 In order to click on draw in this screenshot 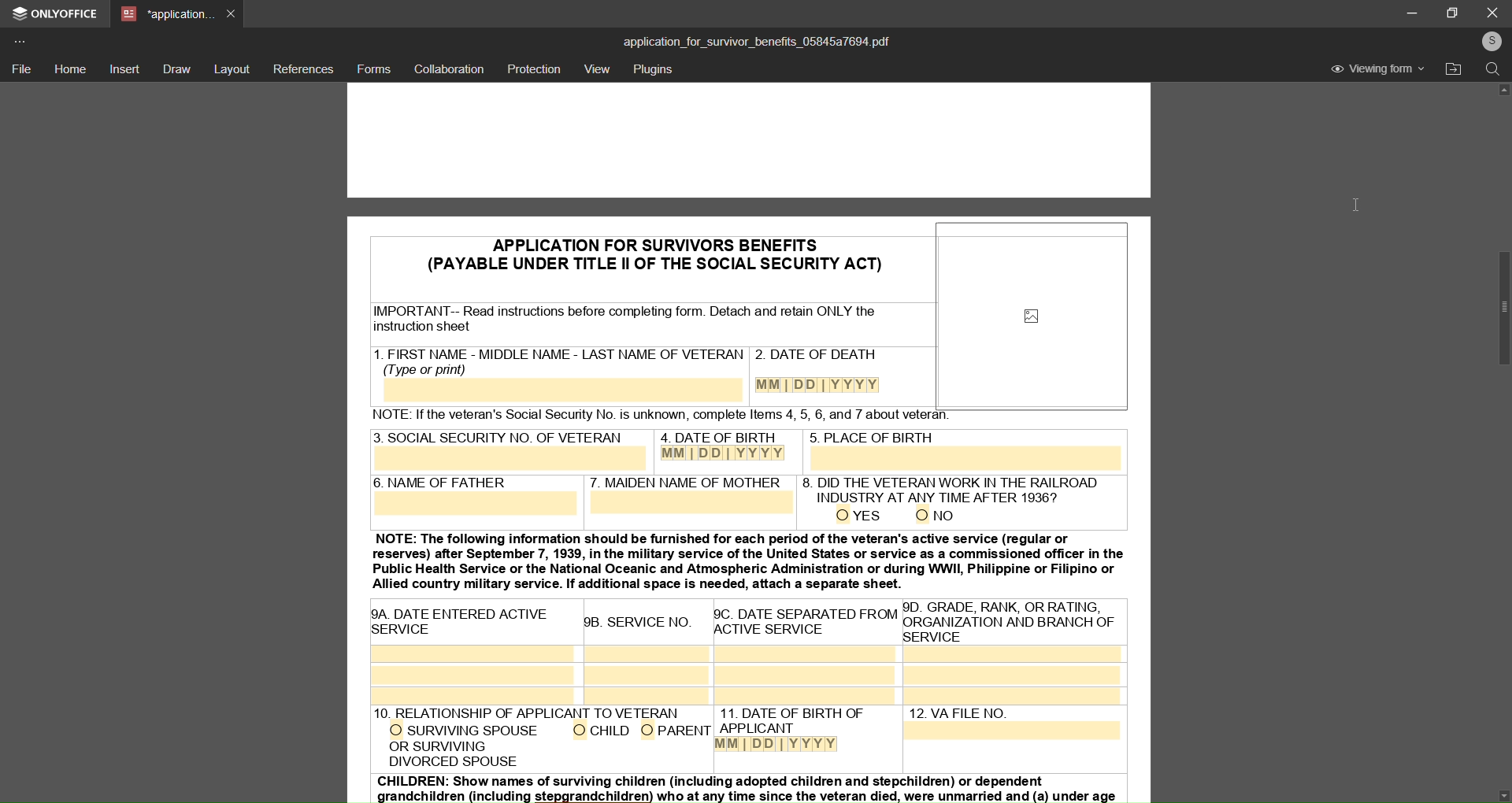, I will do `click(176, 68)`.